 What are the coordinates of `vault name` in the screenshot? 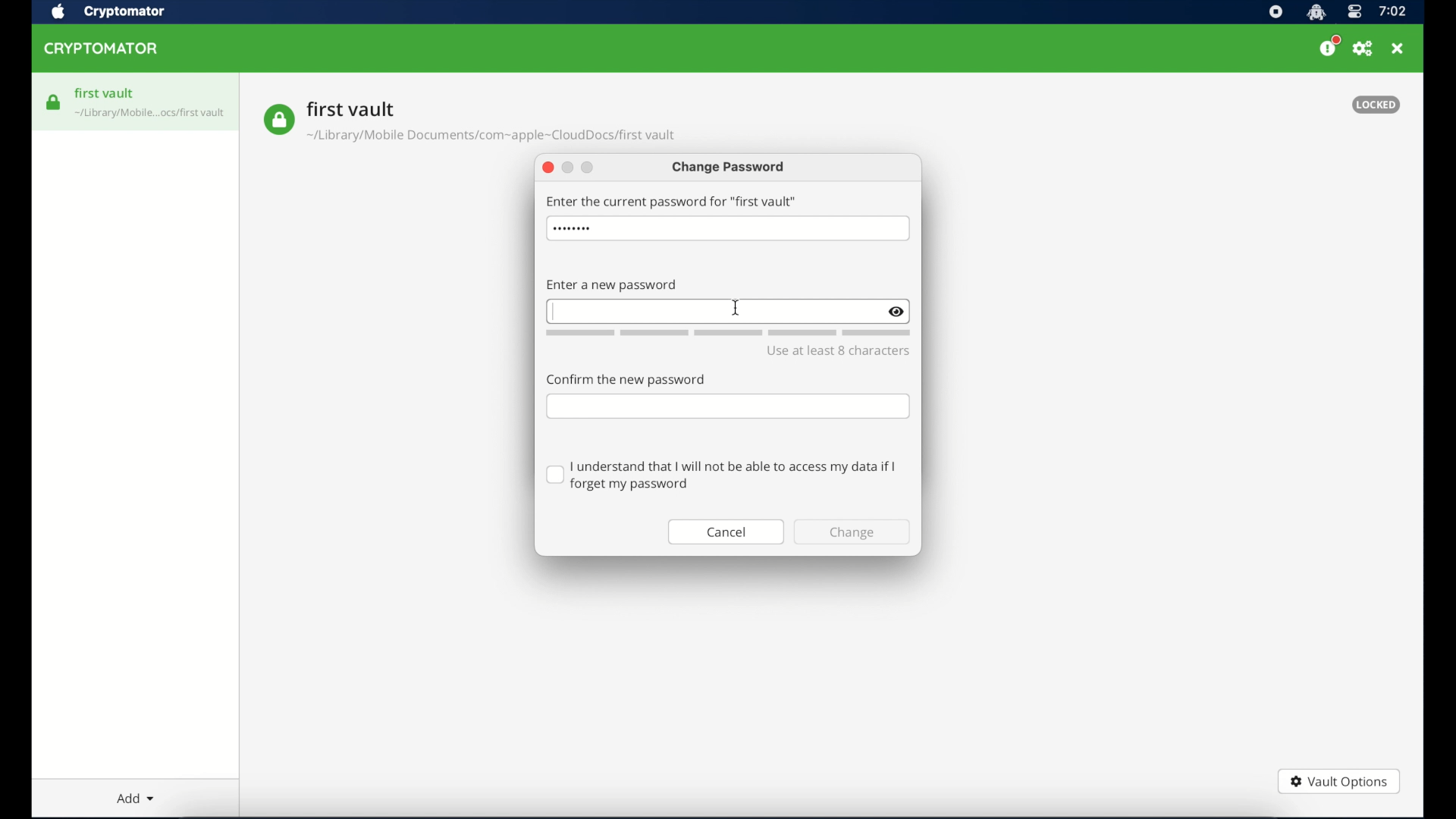 It's located at (351, 108).